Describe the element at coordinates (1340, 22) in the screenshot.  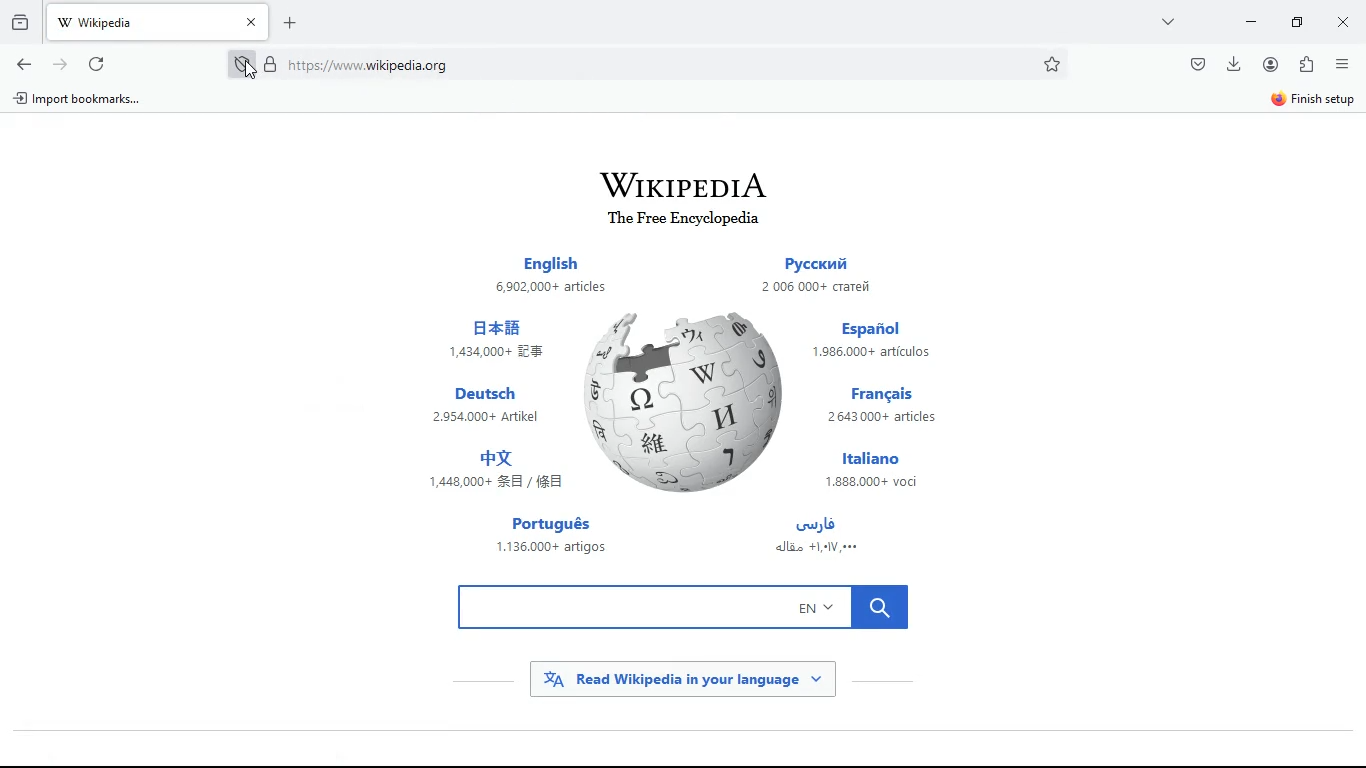
I see `close` at that location.